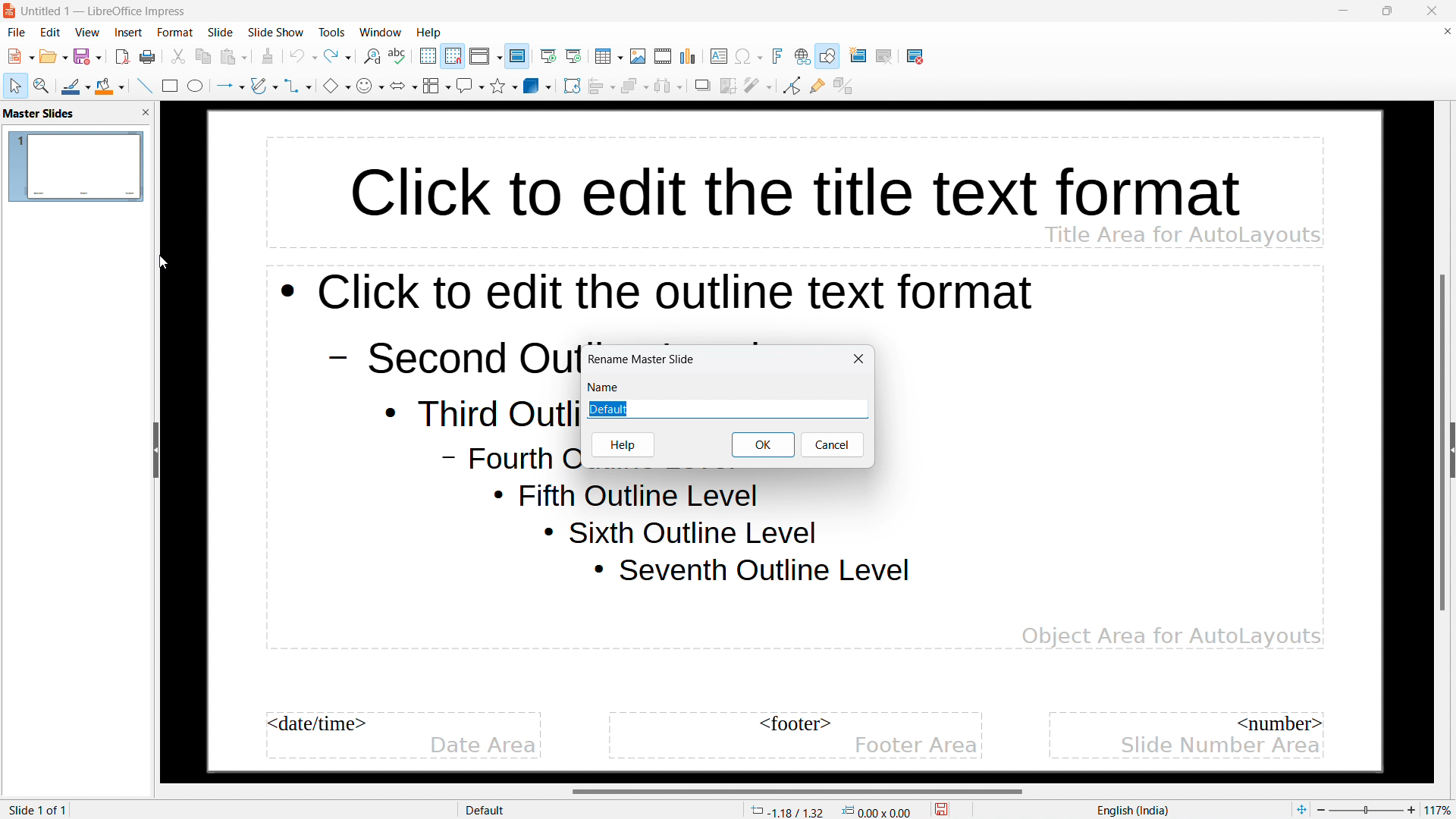 This screenshot has height=819, width=1456. What do you see at coordinates (623, 445) in the screenshot?
I see `help` at bounding box center [623, 445].